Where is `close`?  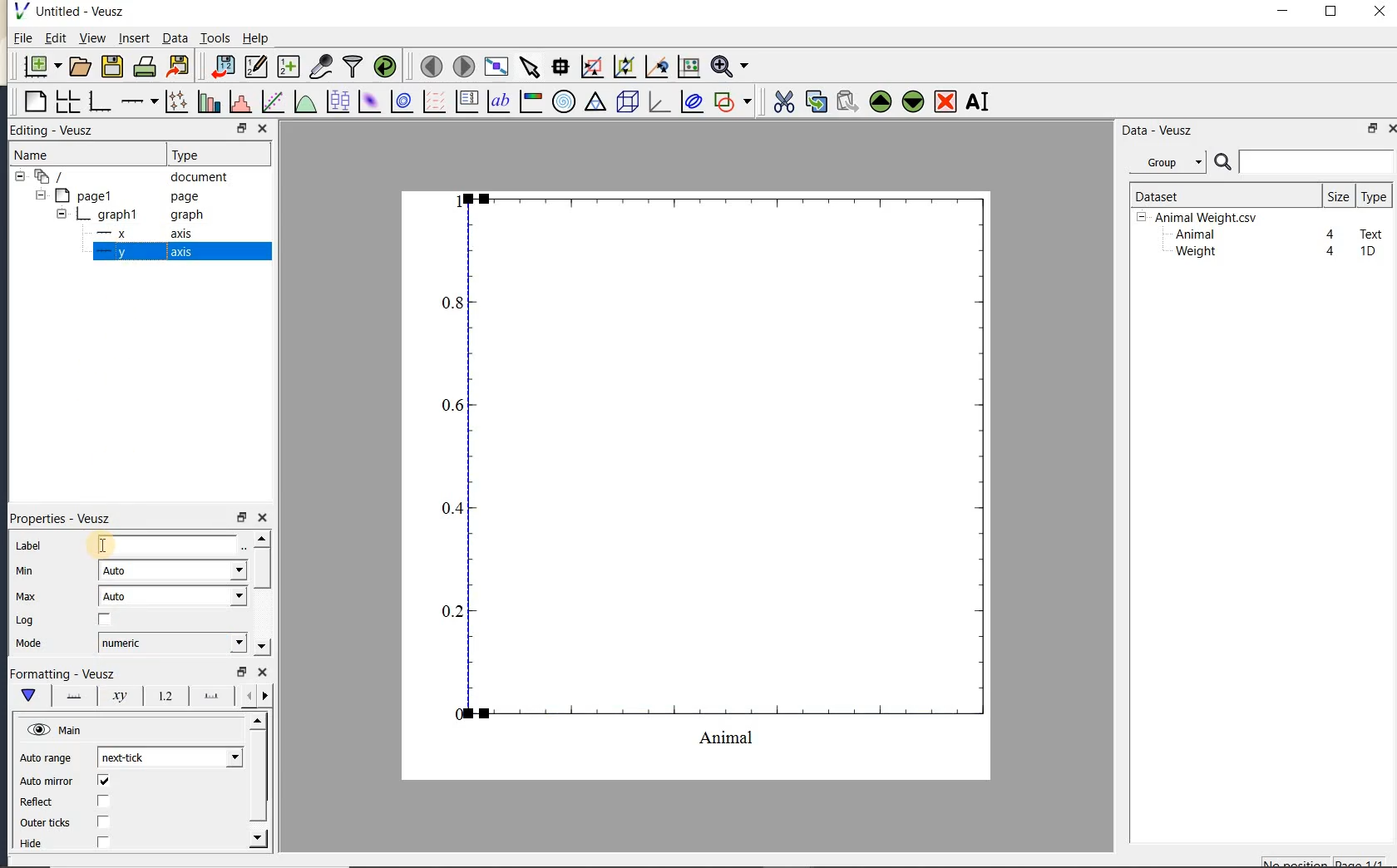 close is located at coordinates (263, 673).